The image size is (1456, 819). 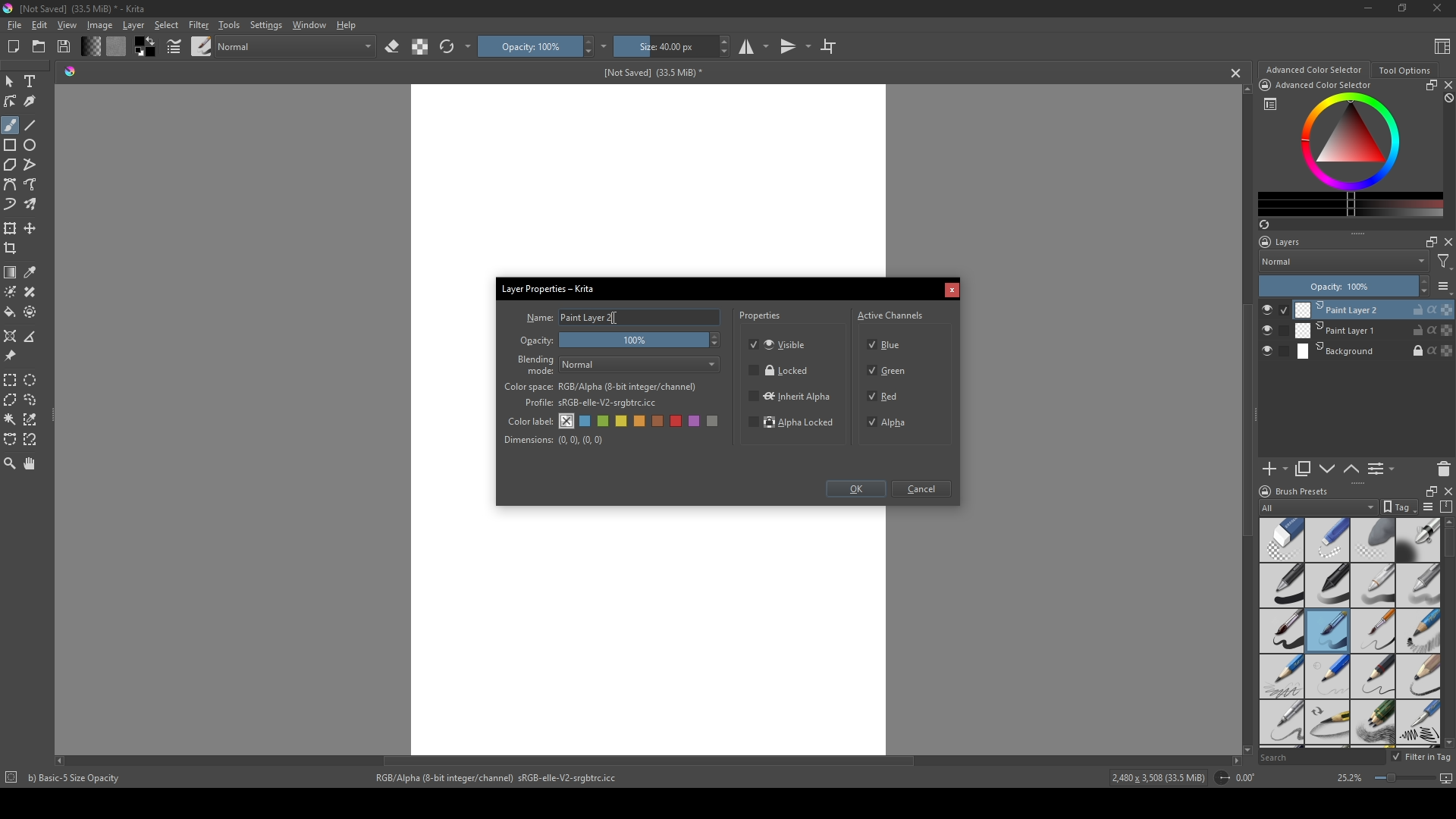 I want to click on scroll down, so click(x=1244, y=748).